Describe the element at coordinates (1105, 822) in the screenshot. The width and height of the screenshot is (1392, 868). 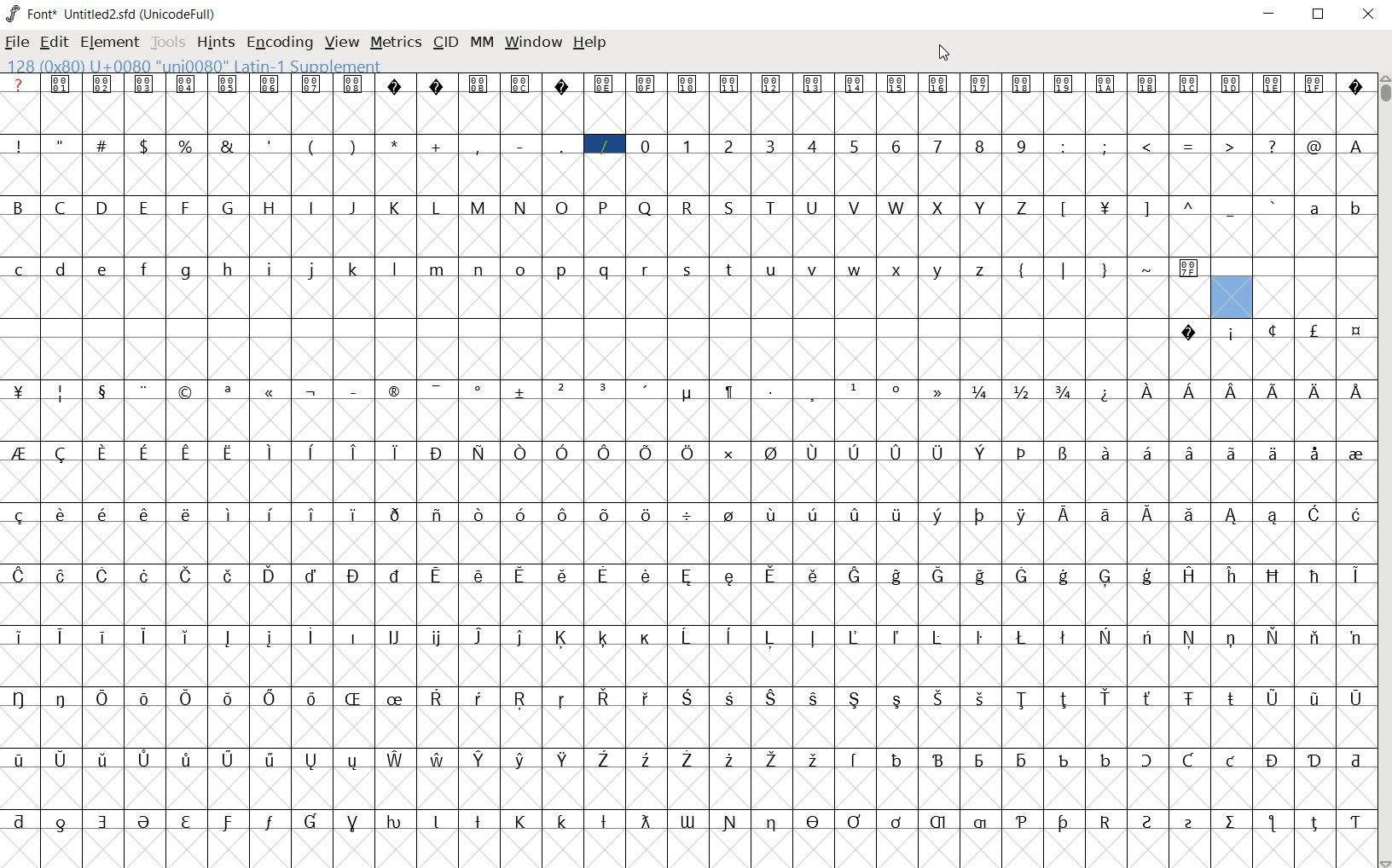
I see `glyph` at that location.